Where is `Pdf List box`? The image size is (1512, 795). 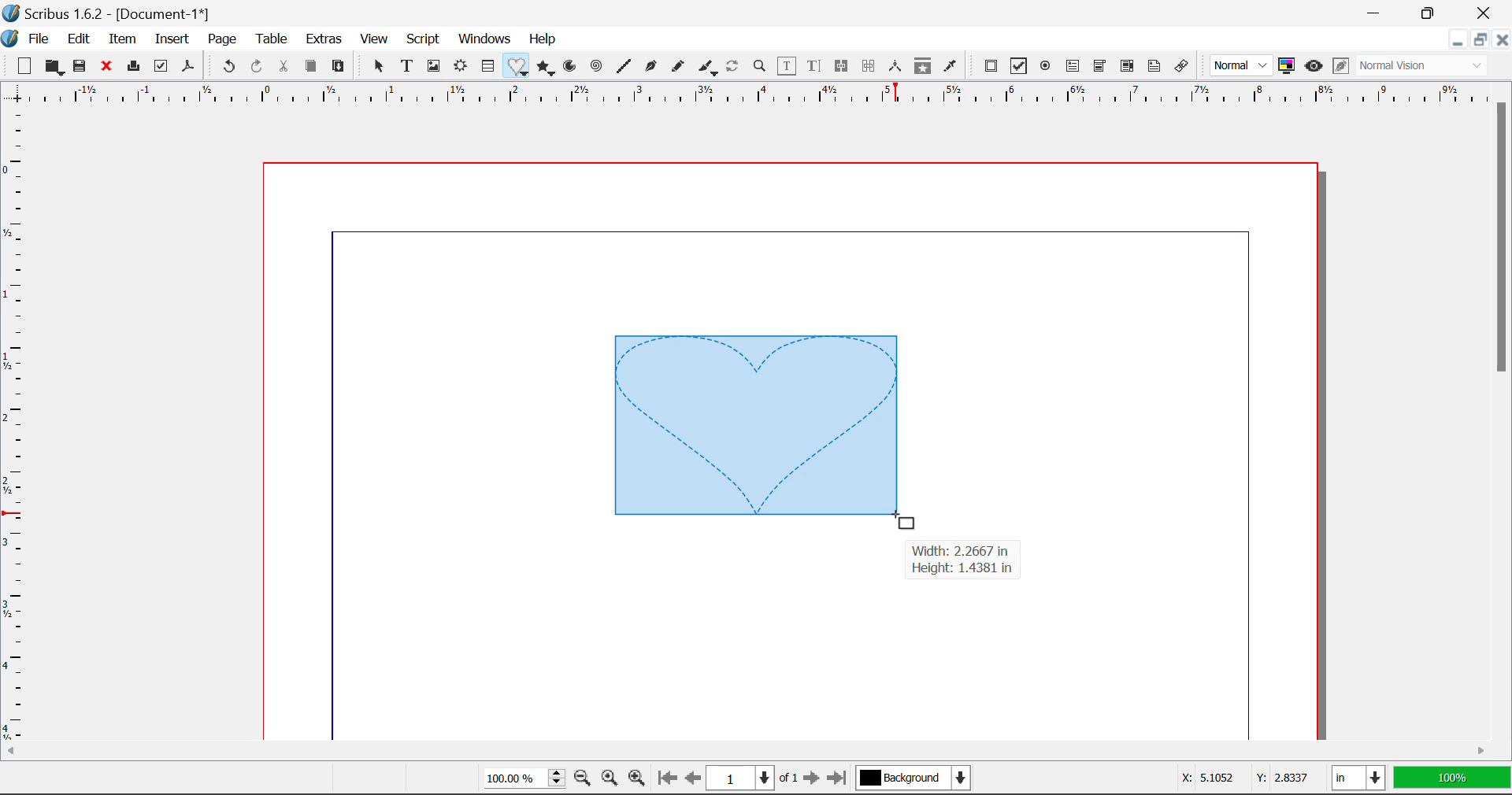
Pdf List box is located at coordinates (1128, 68).